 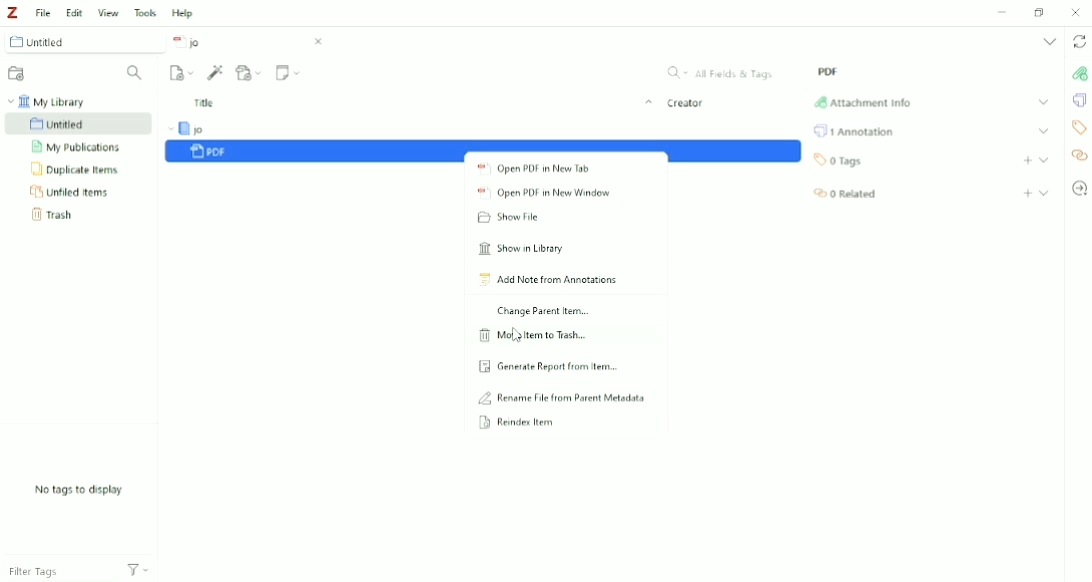 What do you see at coordinates (838, 161) in the screenshot?
I see `Tags` at bounding box center [838, 161].